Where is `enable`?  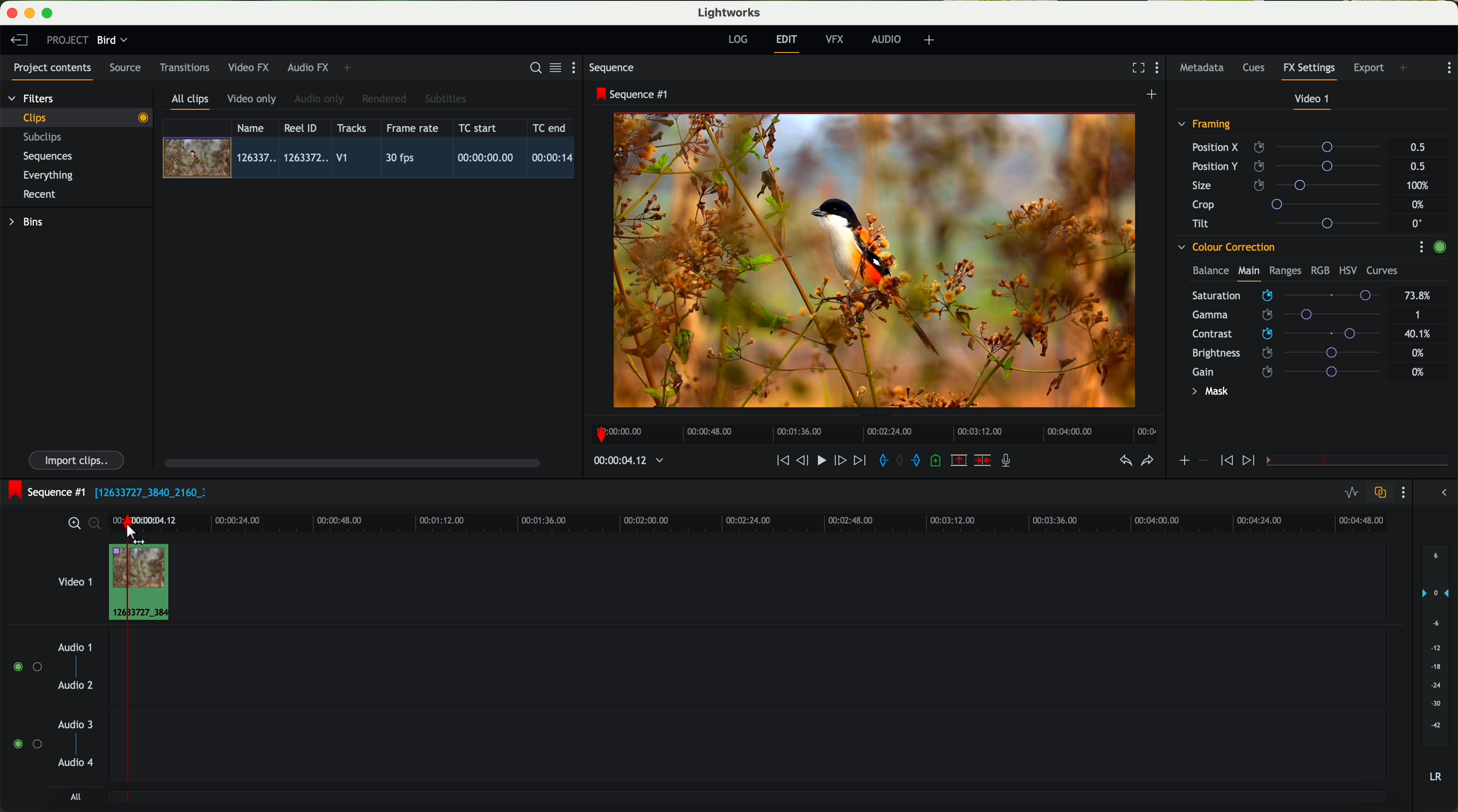 enable is located at coordinates (1439, 248).